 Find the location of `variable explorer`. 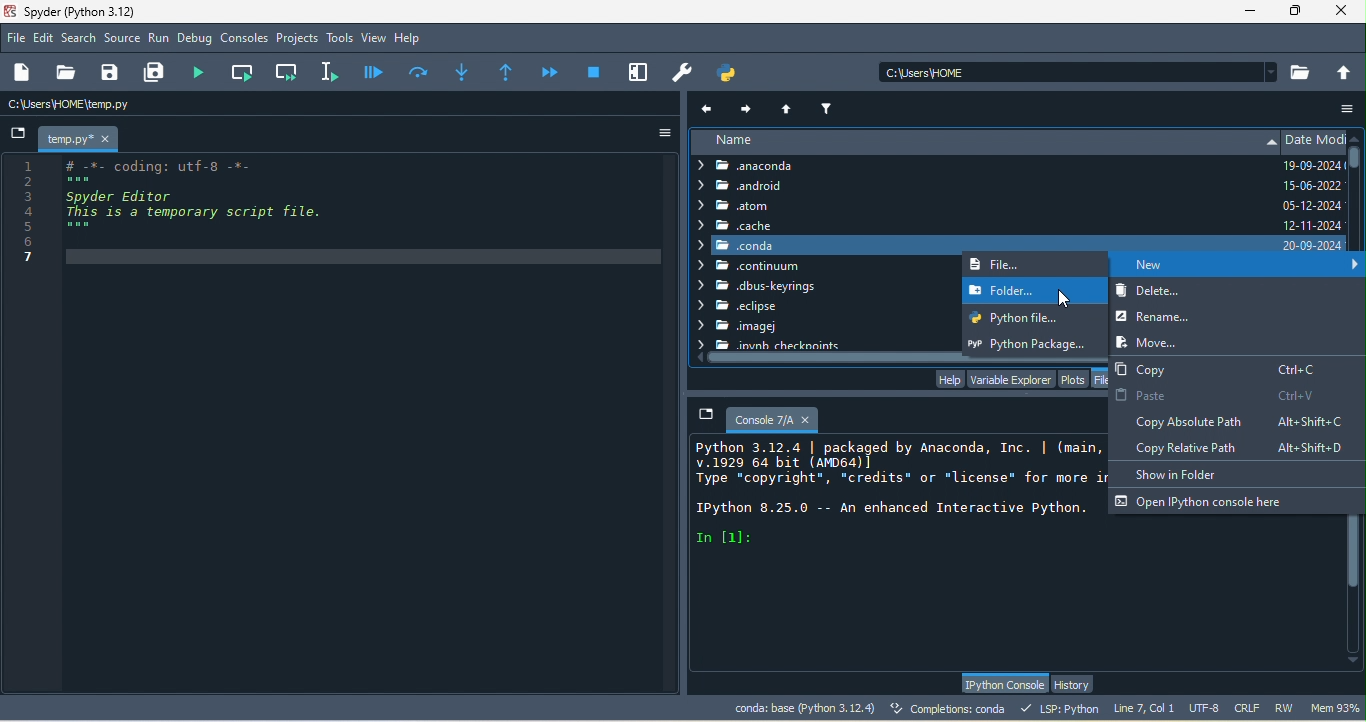

variable explorer is located at coordinates (1010, 378).